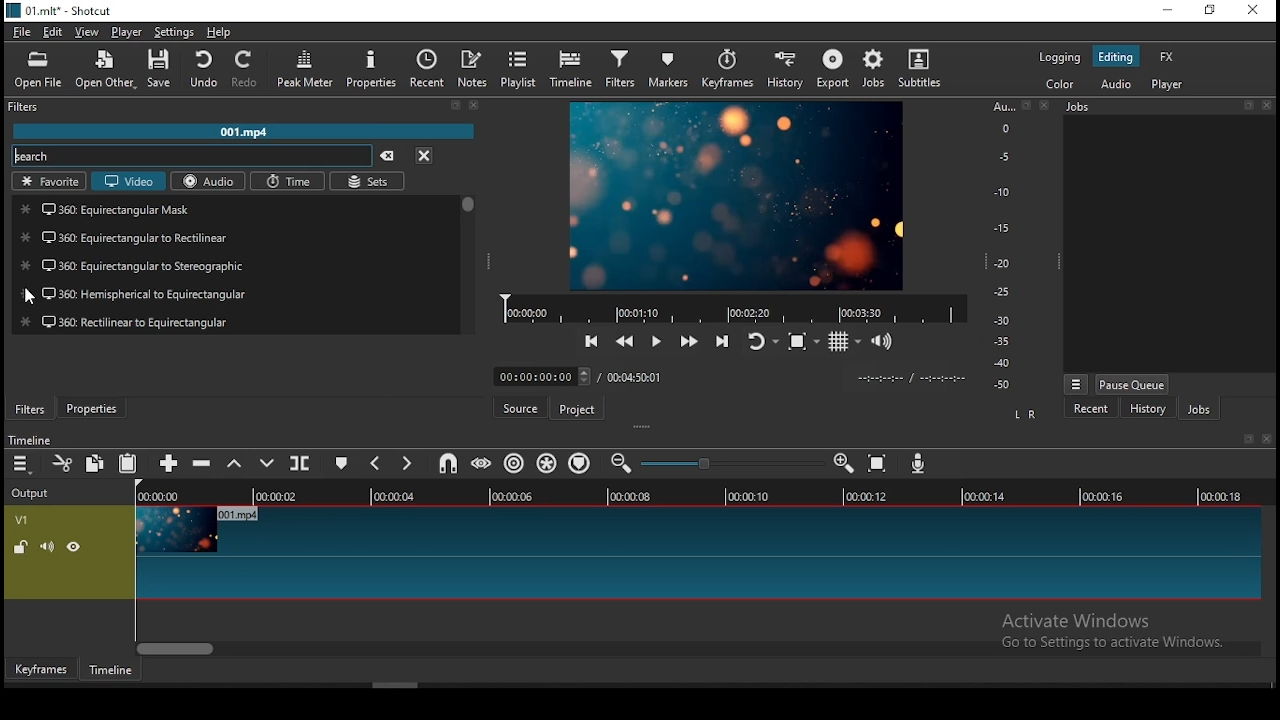  Describe the element at coordinates (239, 265) in the screenshot. I see `filter option` at that location.